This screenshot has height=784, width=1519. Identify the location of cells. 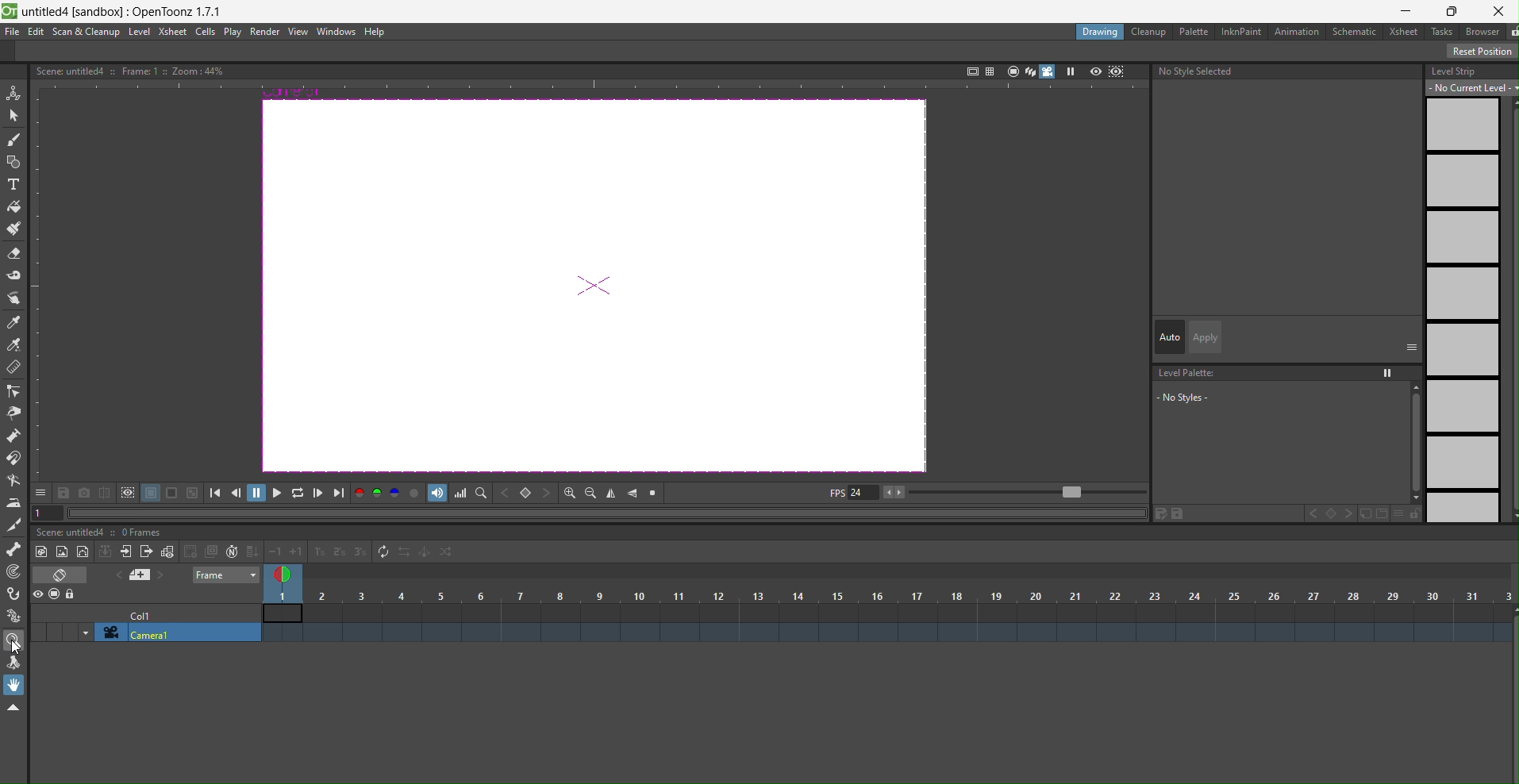
(208, 32).